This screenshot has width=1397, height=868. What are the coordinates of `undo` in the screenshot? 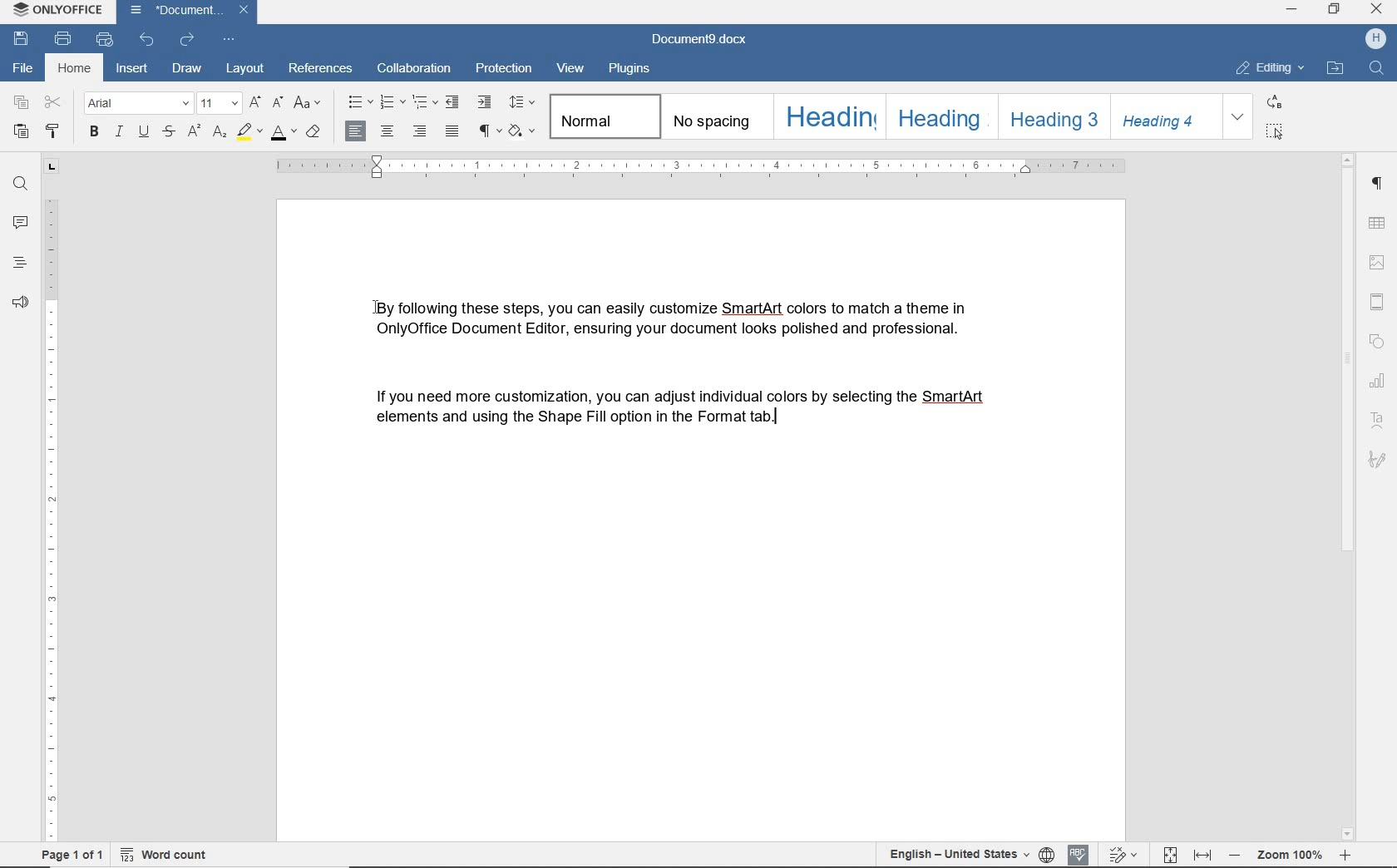 It's located at (146, 42).